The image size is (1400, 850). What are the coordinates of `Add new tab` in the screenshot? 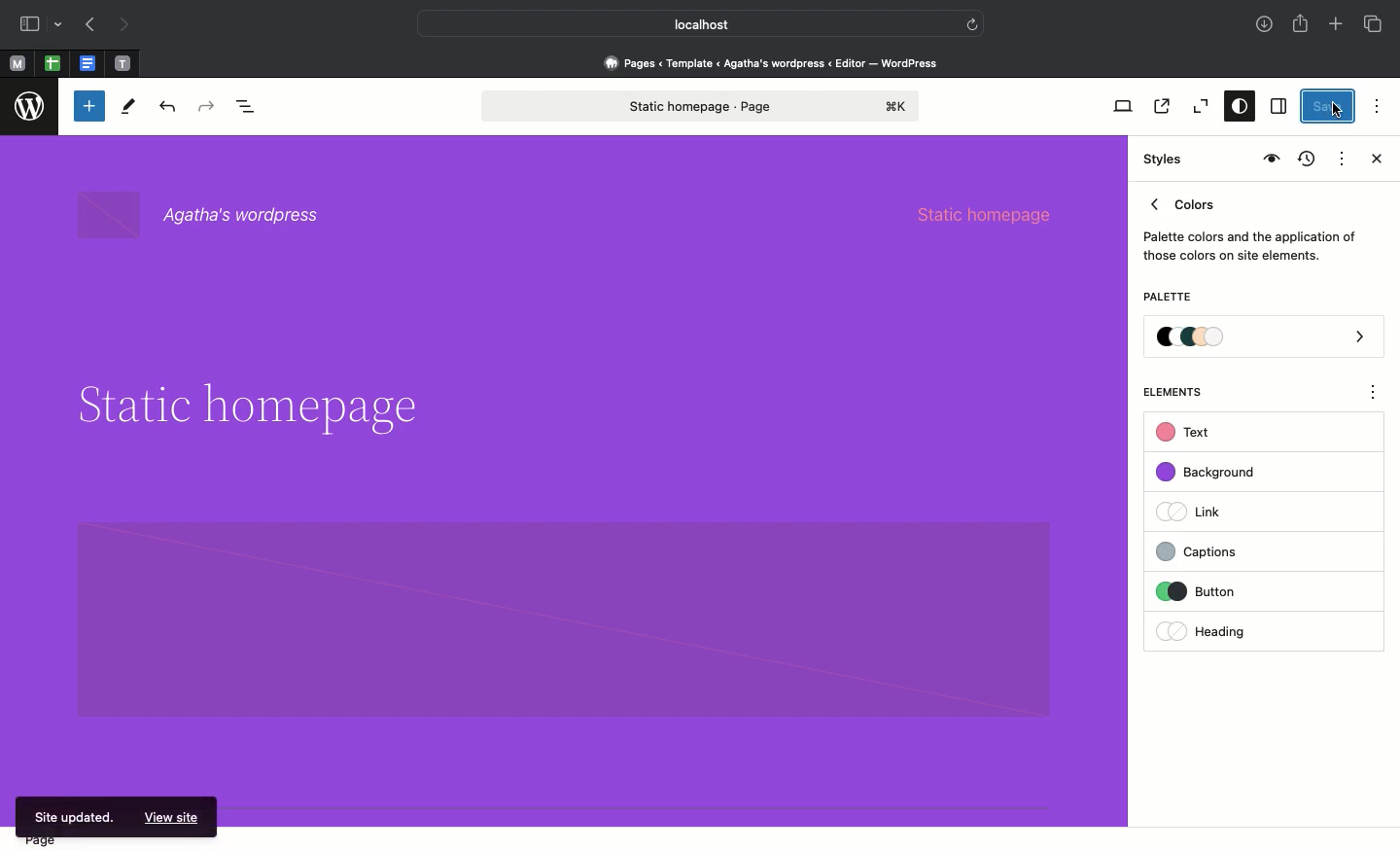 It's located at (1338, 26).